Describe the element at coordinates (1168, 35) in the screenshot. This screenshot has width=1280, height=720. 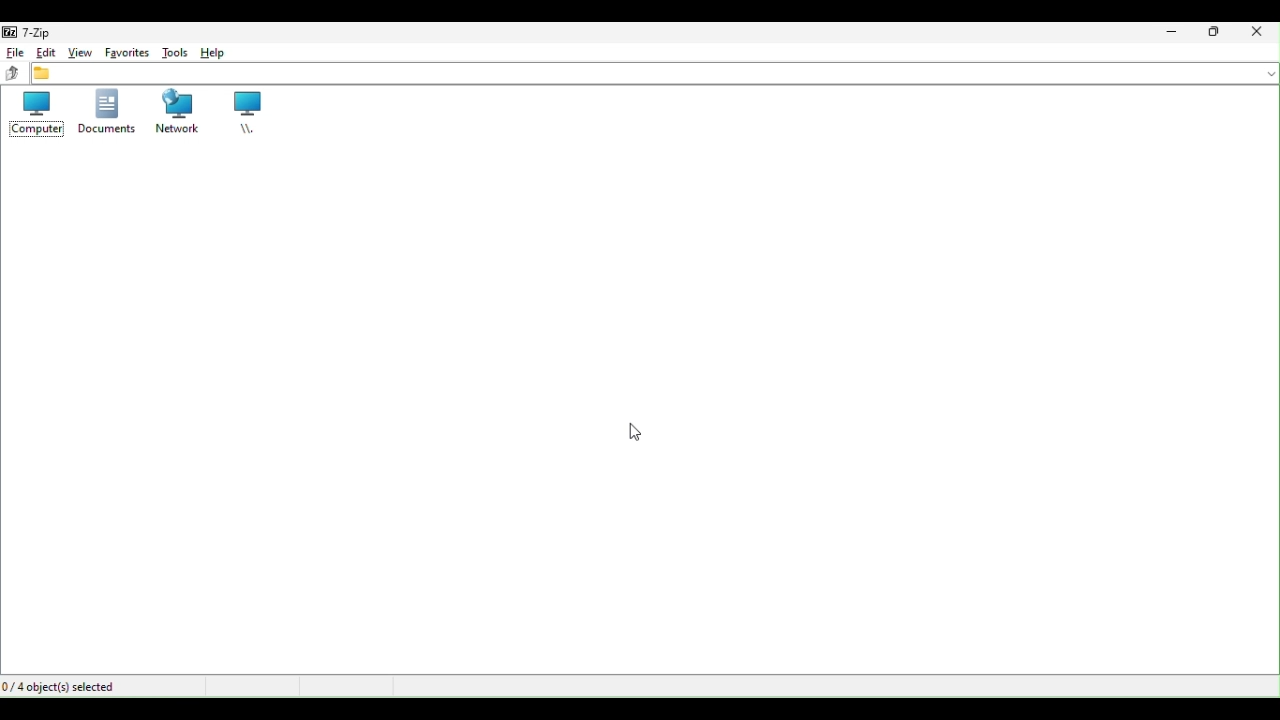
I see `Minimise` at that location.